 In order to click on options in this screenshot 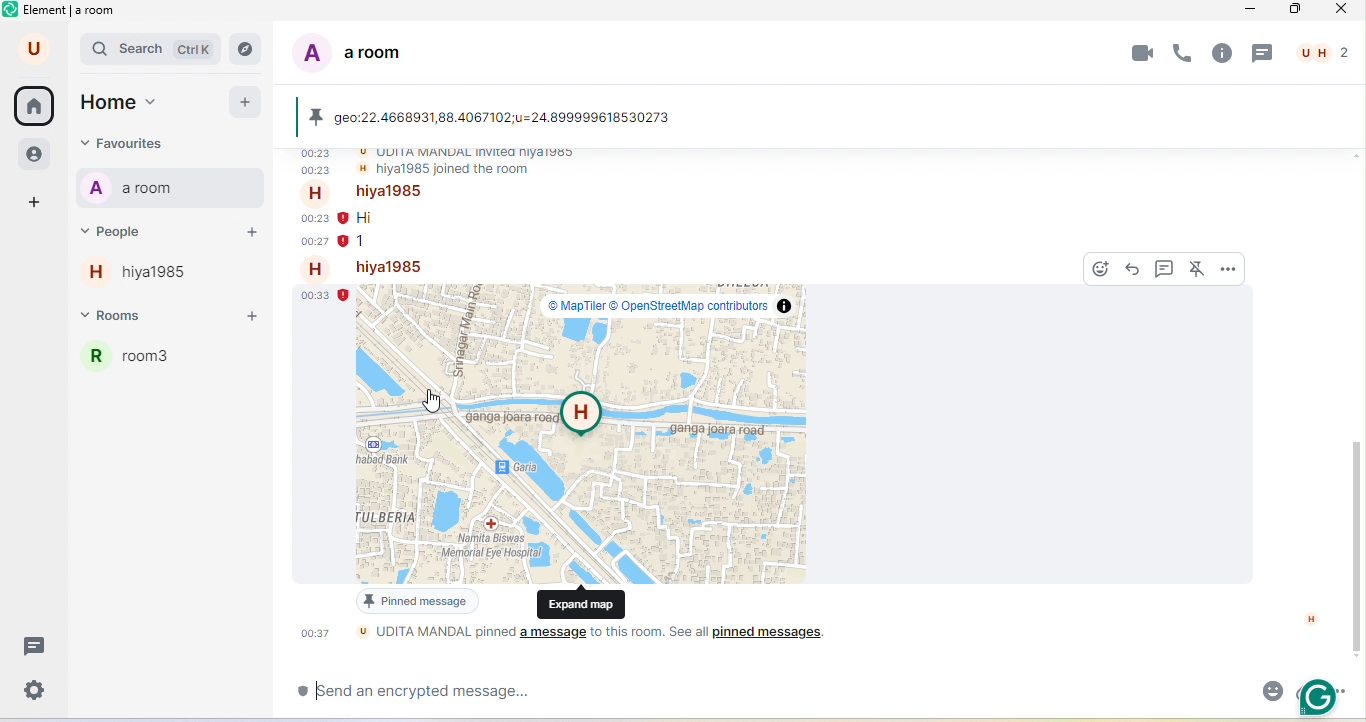, I will do `click(225, 189)`.